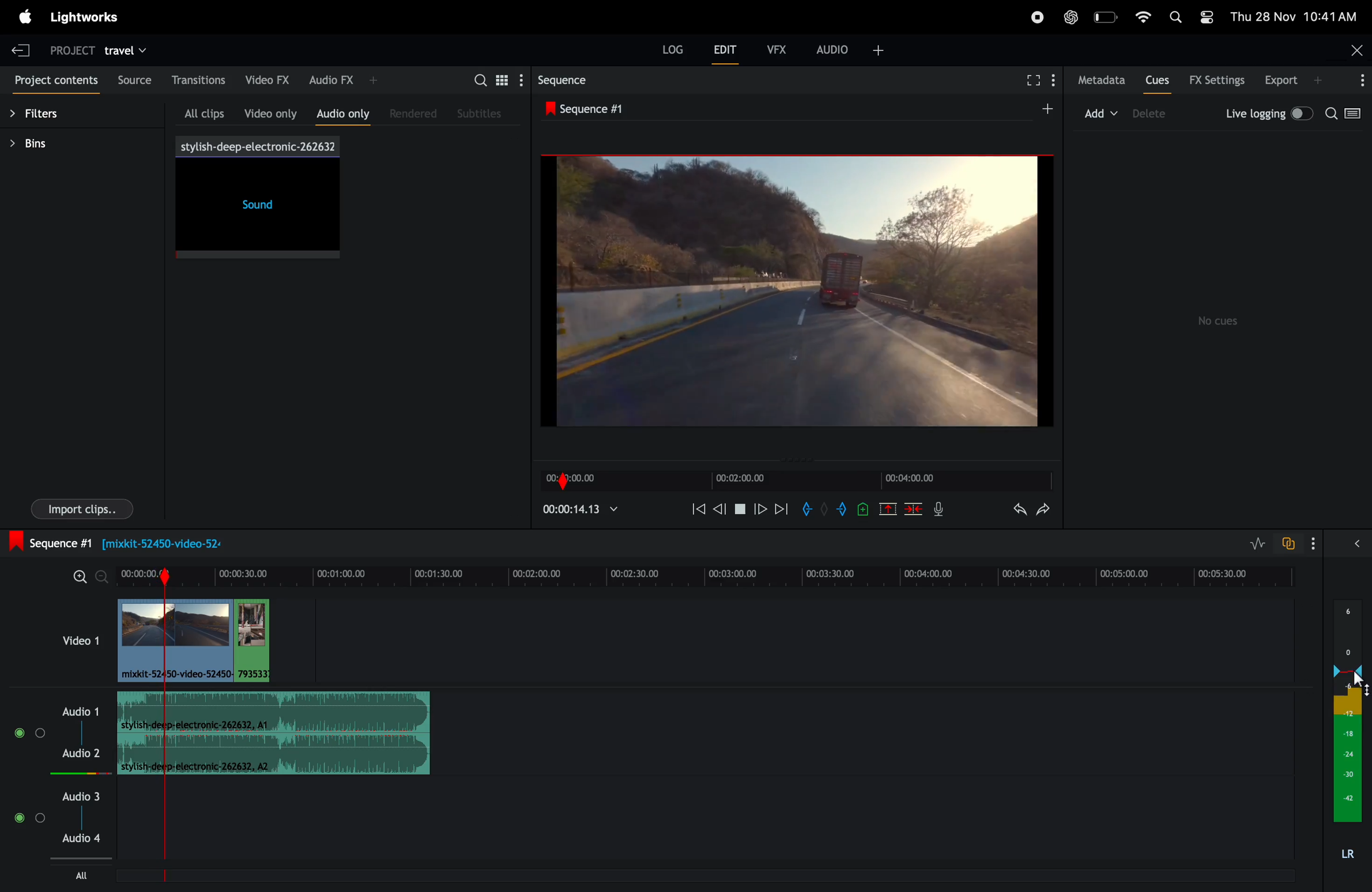 The height and width of the screenshot is (892, 1372). Describe the element at coordinates (911, 511) in the screenshot. I see `delete` at that location.